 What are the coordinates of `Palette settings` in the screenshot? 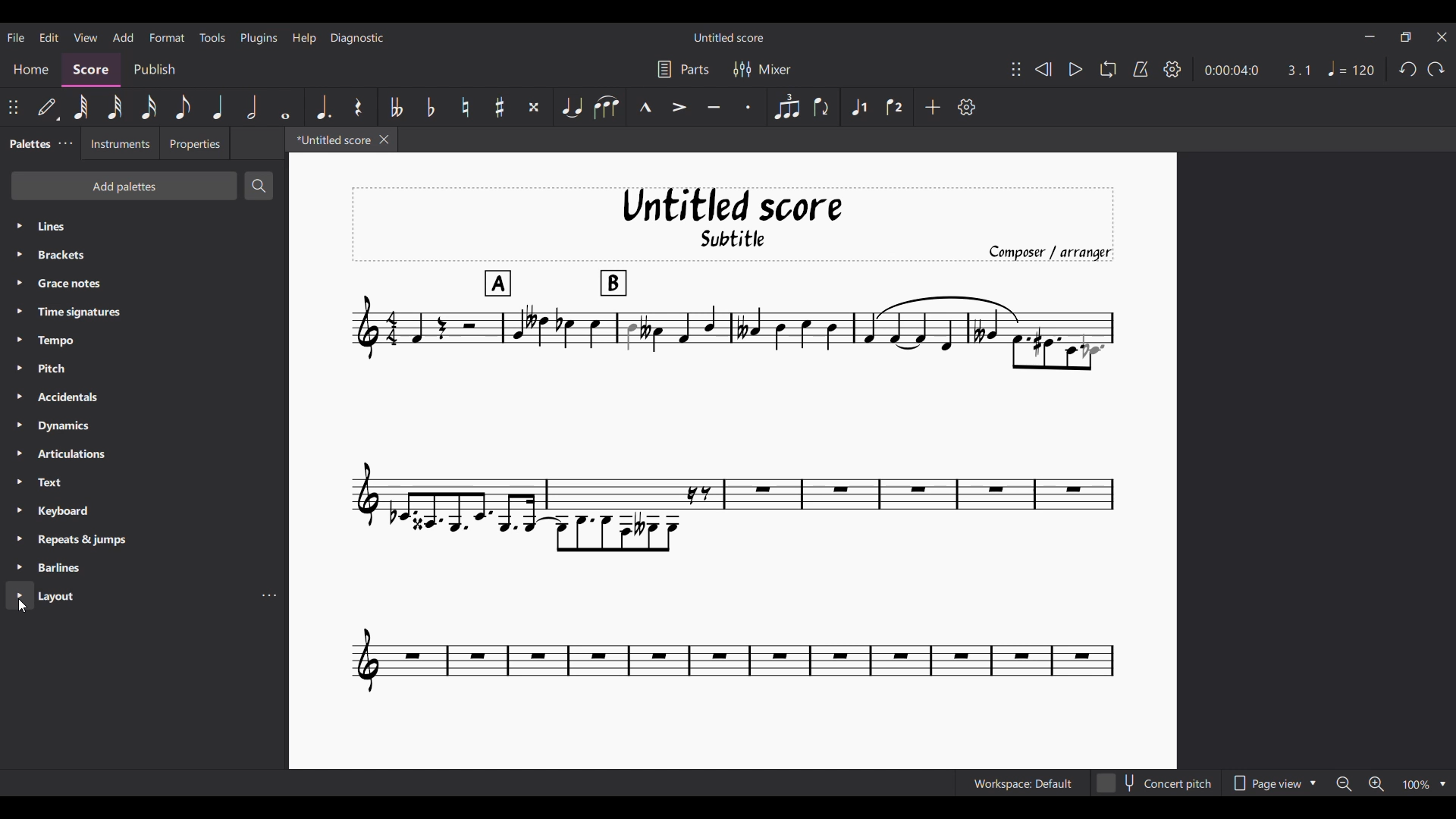 It's located at (66, 143).